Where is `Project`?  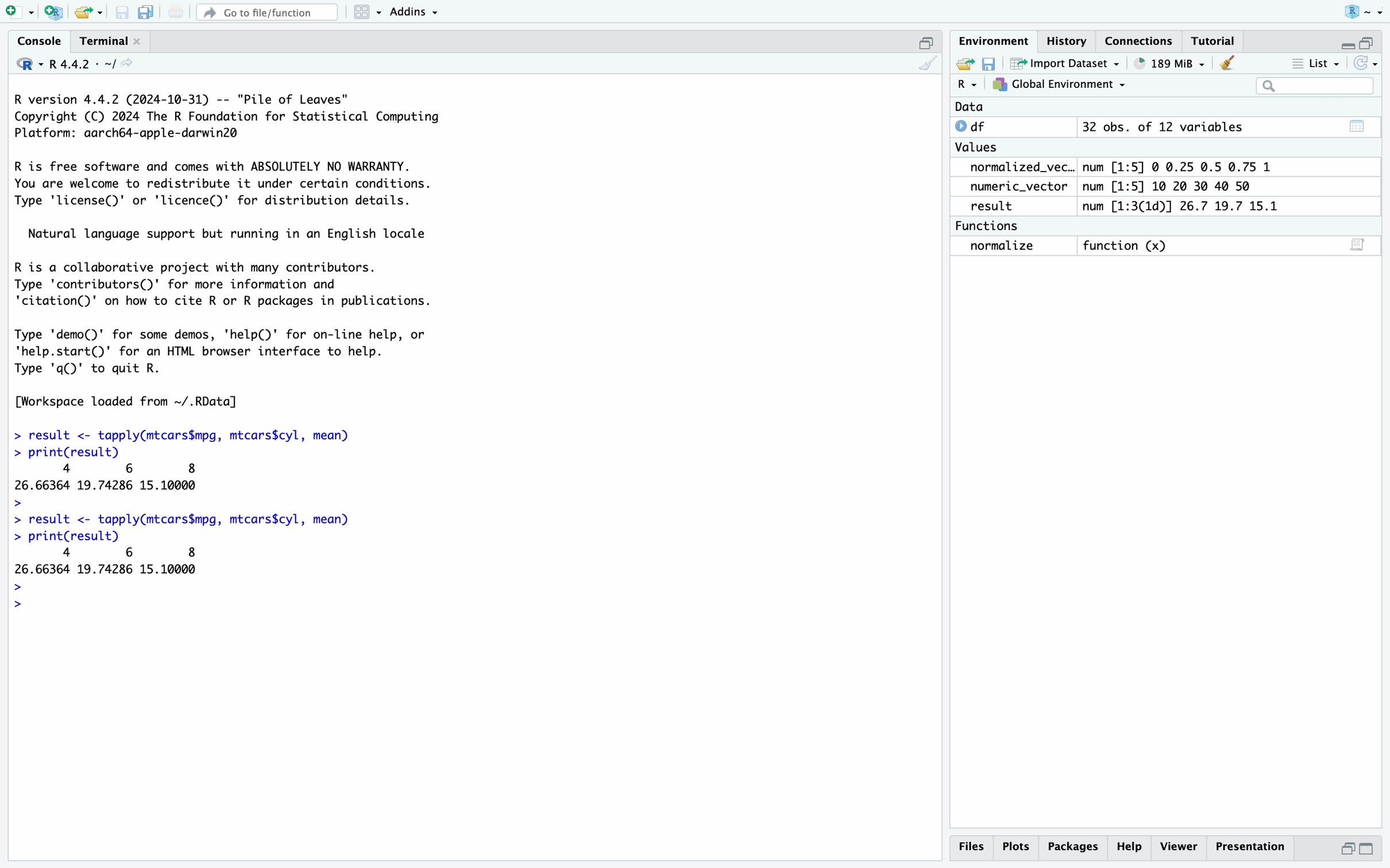 Project is located at coordinates (1365, 11).